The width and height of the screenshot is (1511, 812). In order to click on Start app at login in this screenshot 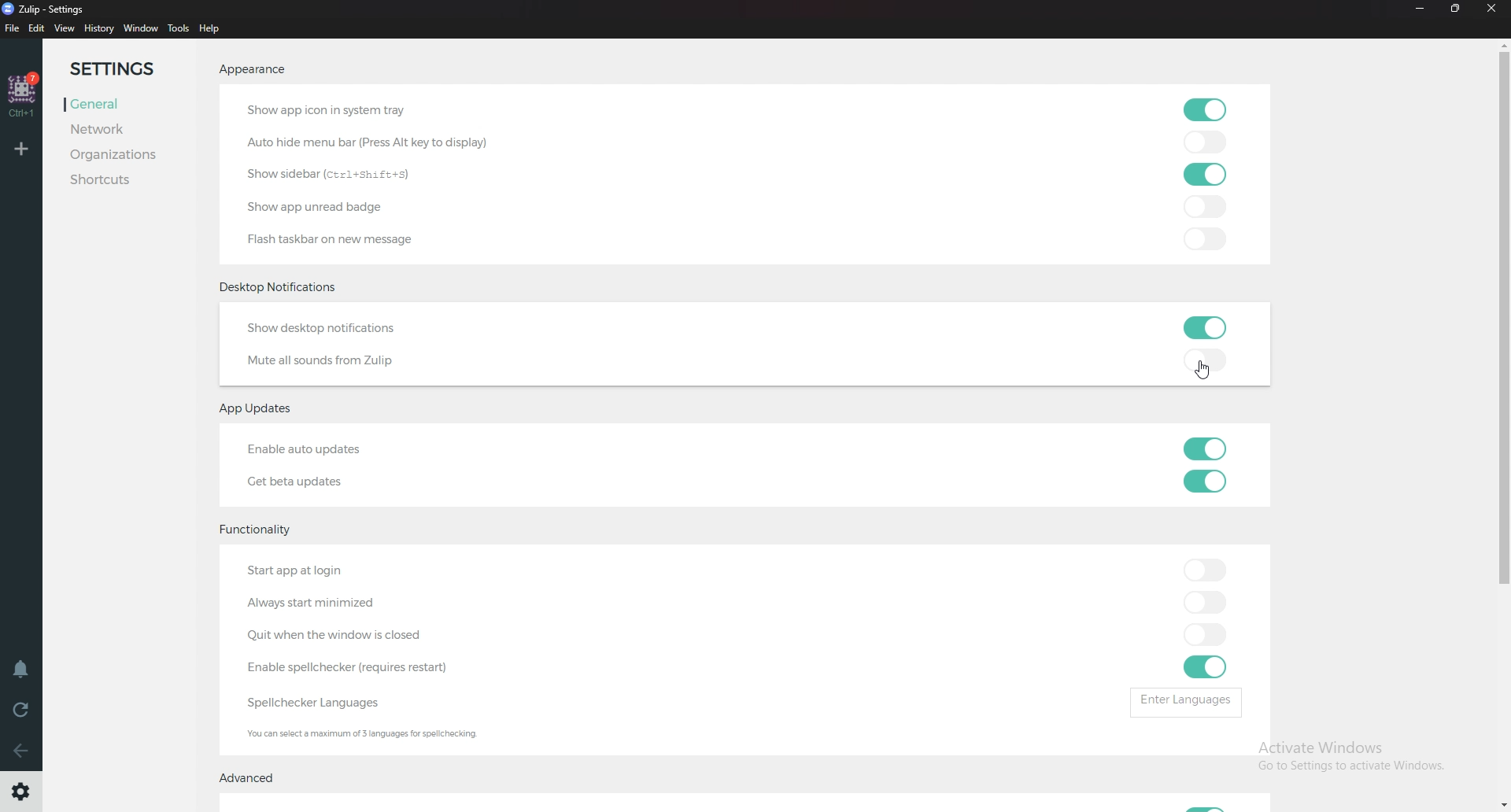, I will do `click(302, 572)`.